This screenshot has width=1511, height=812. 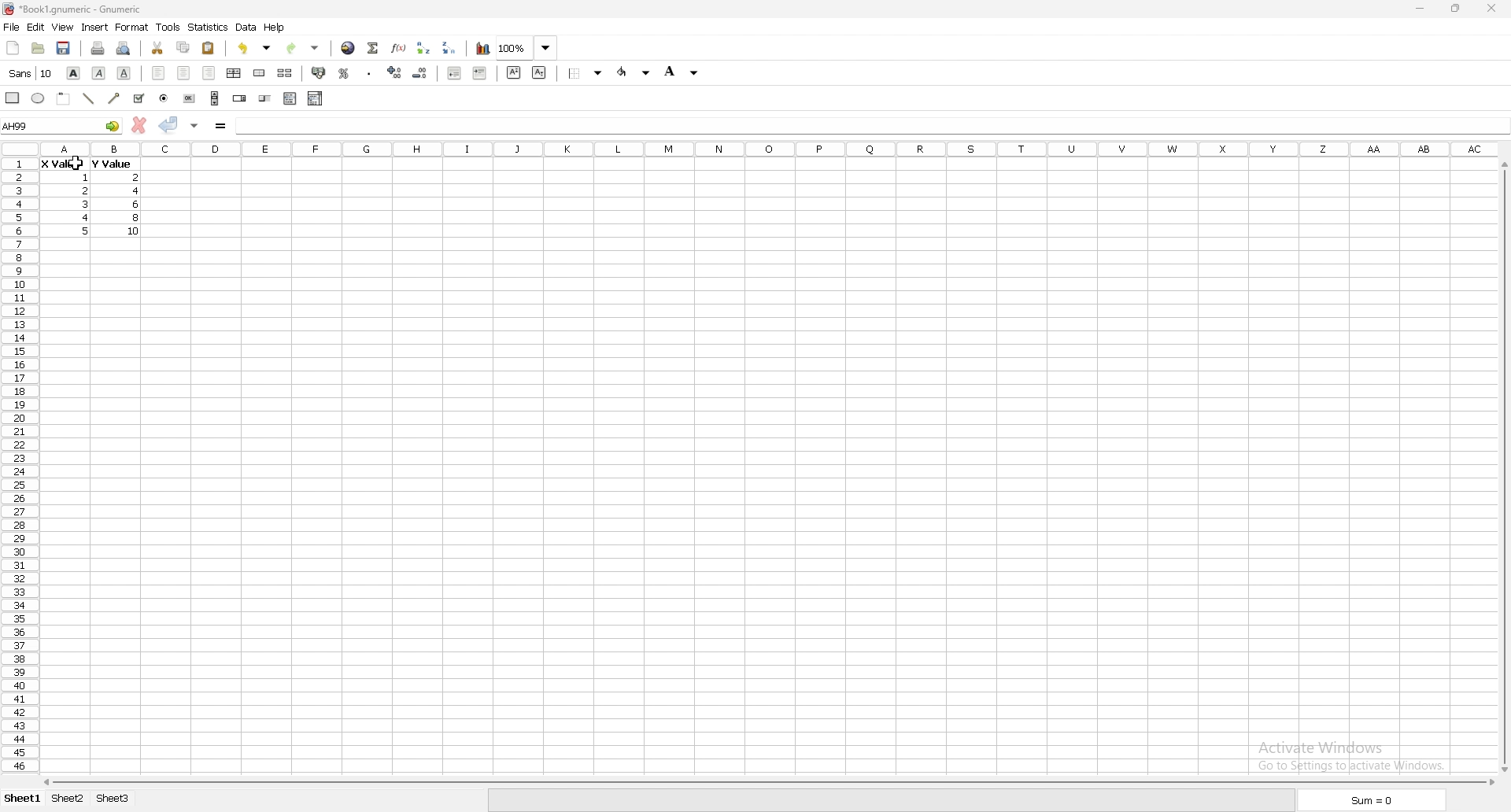 I want to click on value, so click(x=137, y=177).